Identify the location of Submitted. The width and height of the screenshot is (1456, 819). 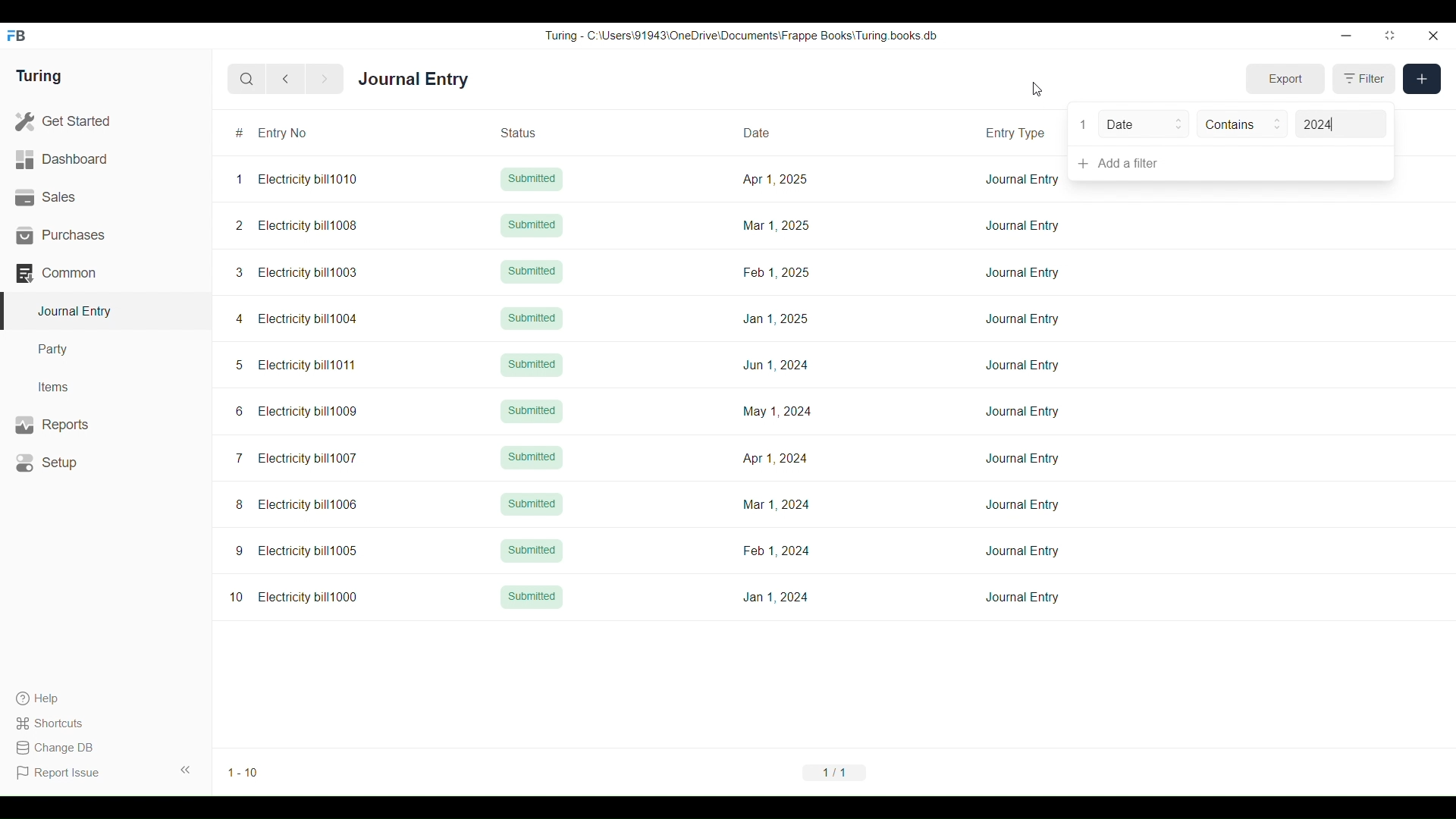
(532, 412).